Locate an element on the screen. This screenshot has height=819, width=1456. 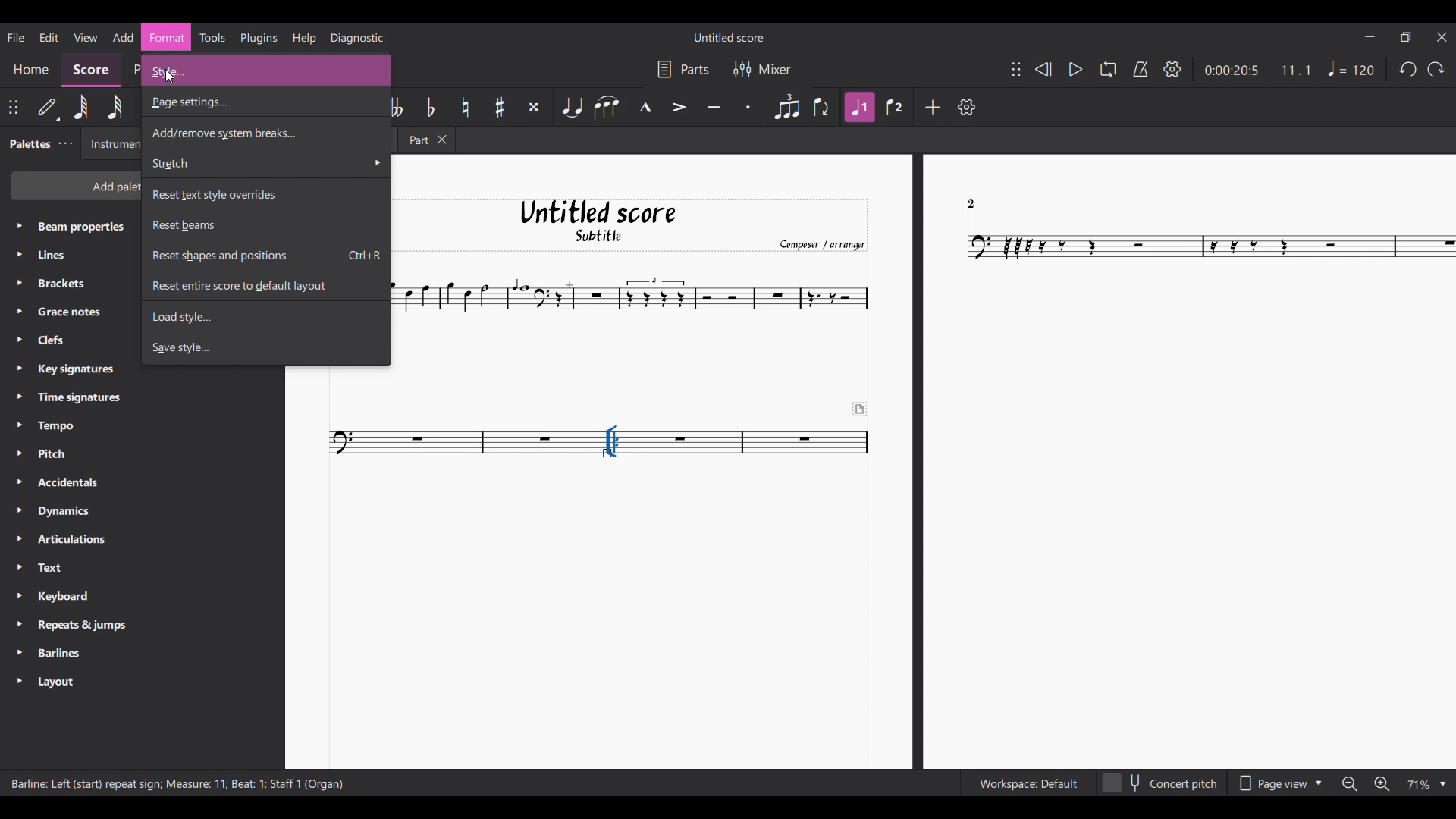
Rewind is located at coordinates (1043, 69).